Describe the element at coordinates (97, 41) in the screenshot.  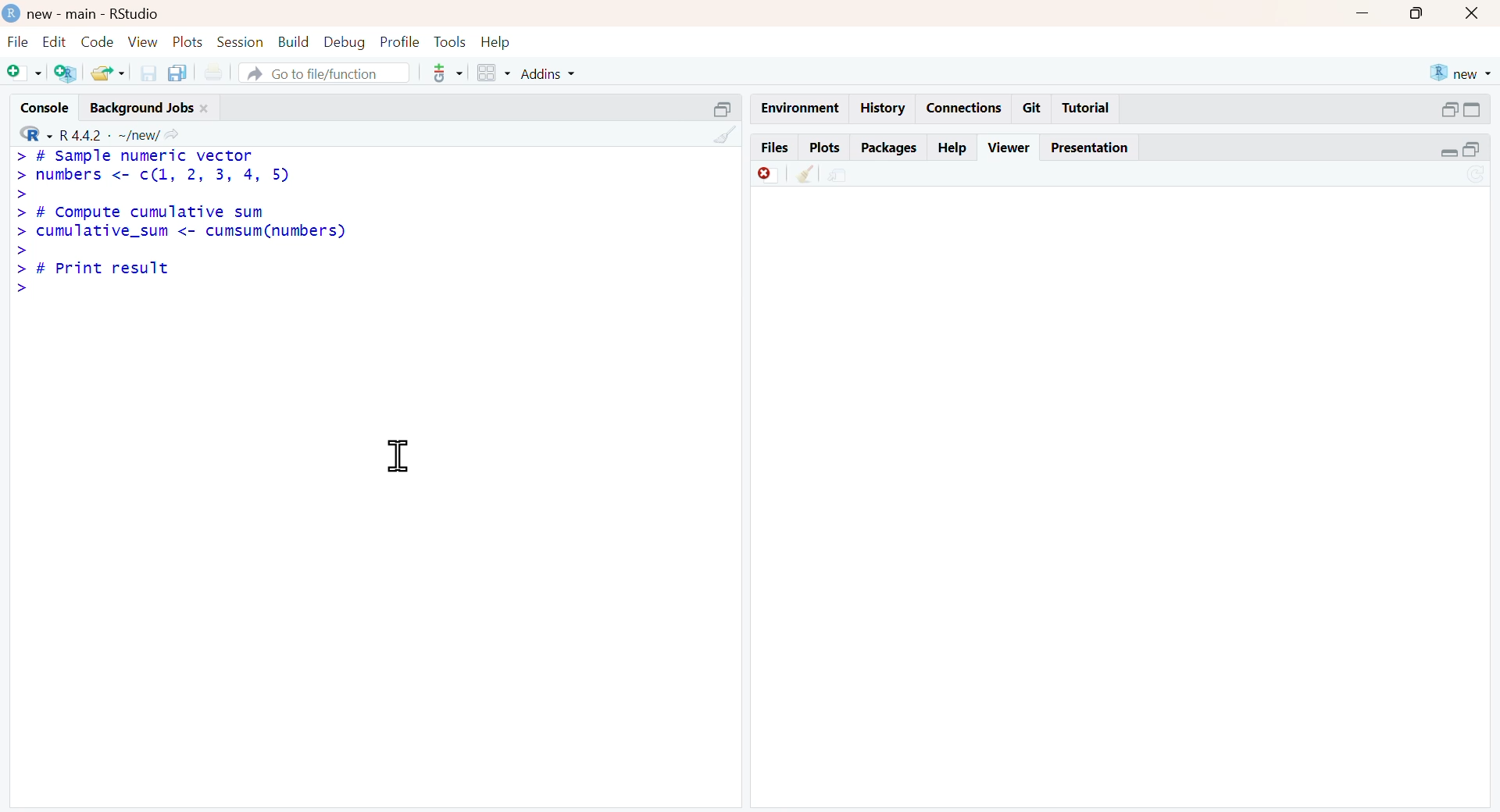
I see `code` at that location.